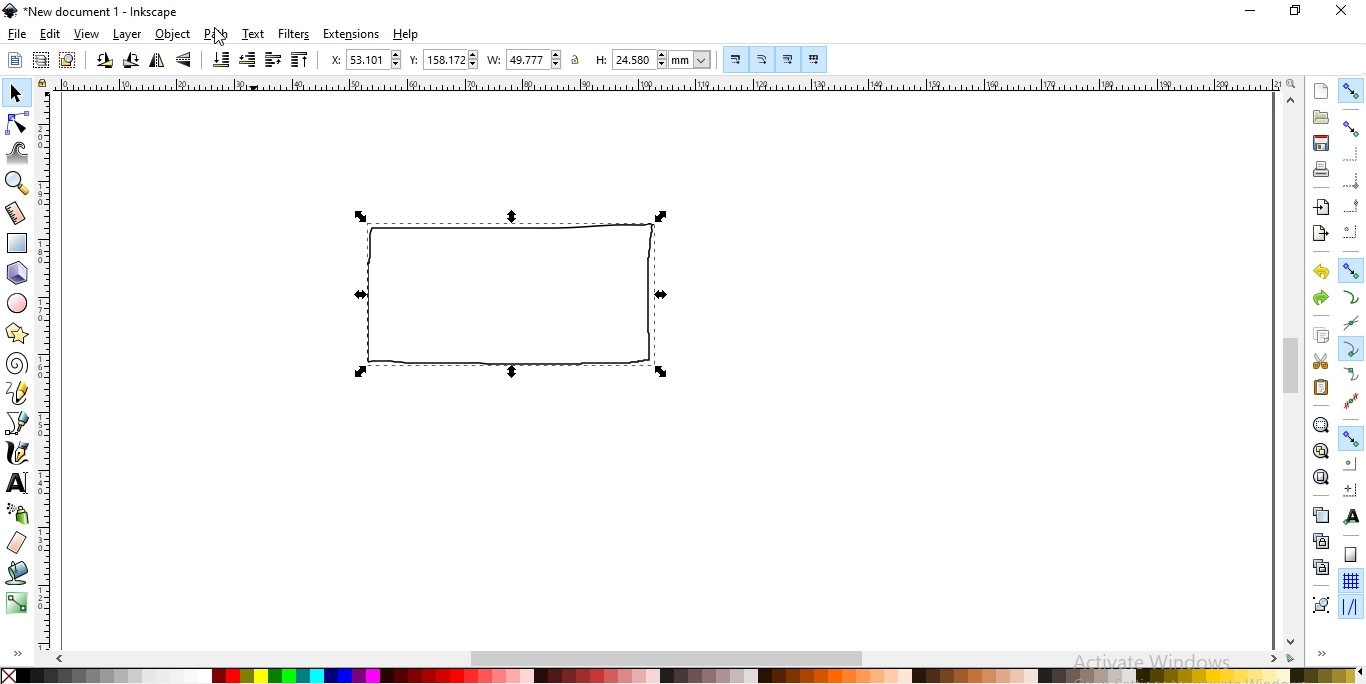  I want to click on zoom to fit page, so click(1322, 477).